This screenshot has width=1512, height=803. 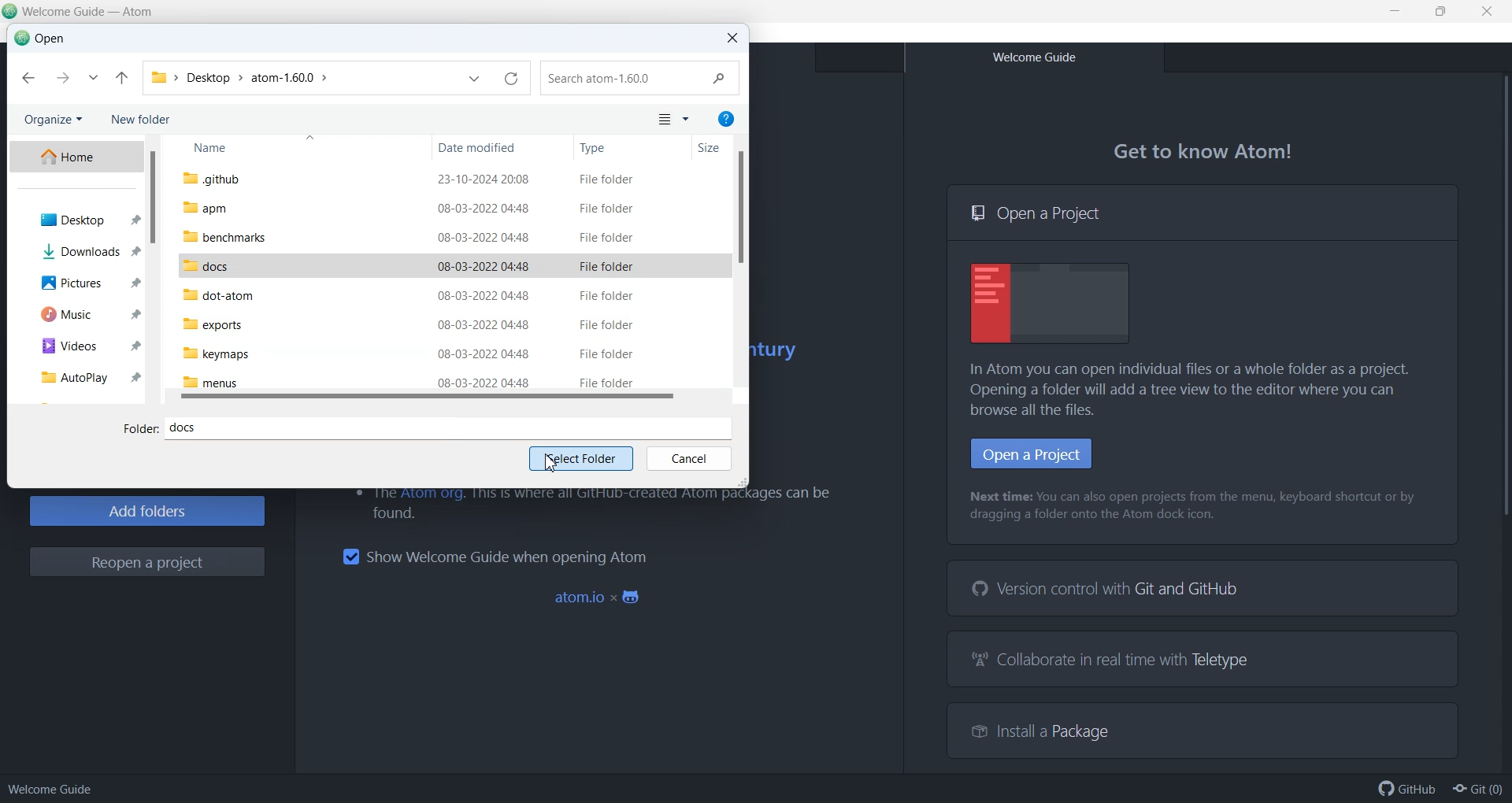 I want to click on Music, so click(x=78, y=313).